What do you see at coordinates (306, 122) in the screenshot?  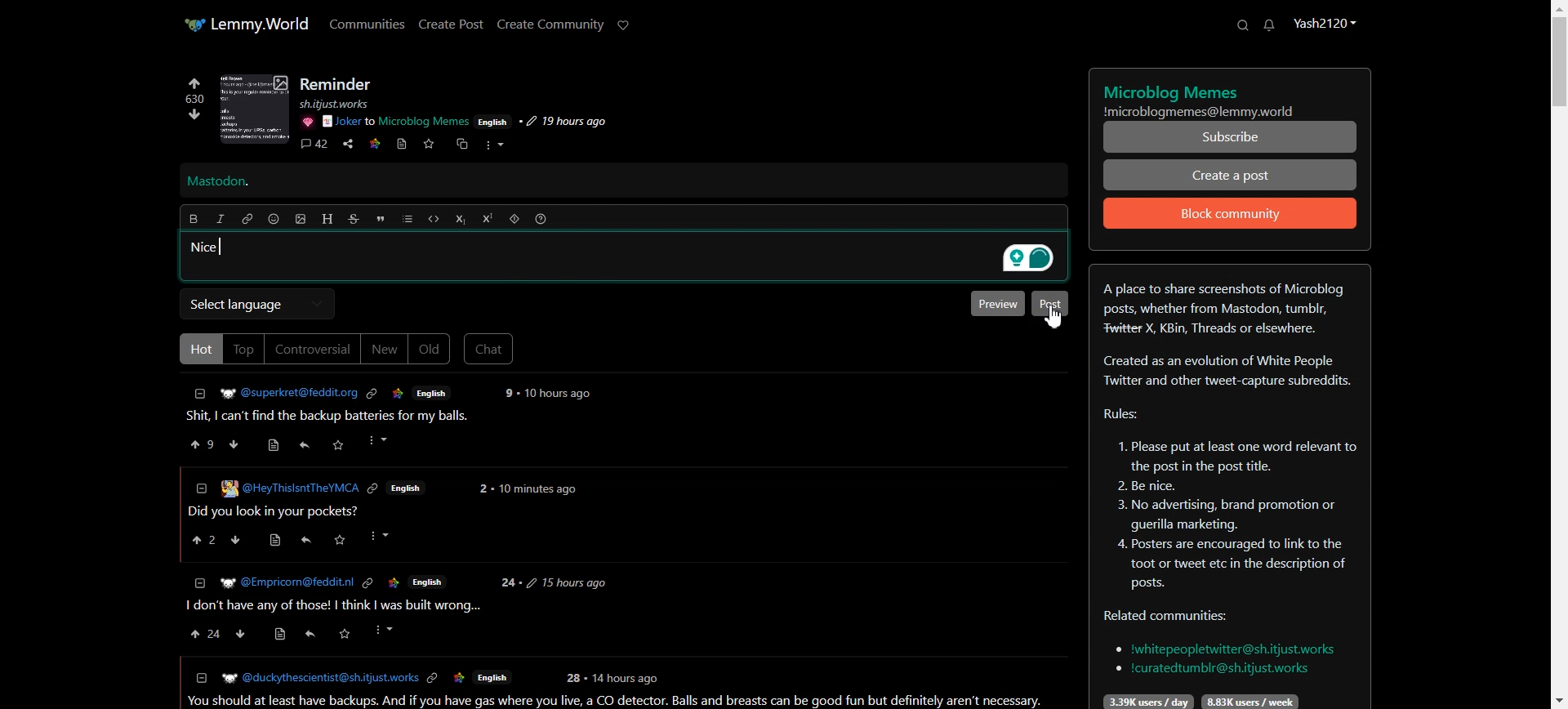 I see `` at bounding box center [306, 122].